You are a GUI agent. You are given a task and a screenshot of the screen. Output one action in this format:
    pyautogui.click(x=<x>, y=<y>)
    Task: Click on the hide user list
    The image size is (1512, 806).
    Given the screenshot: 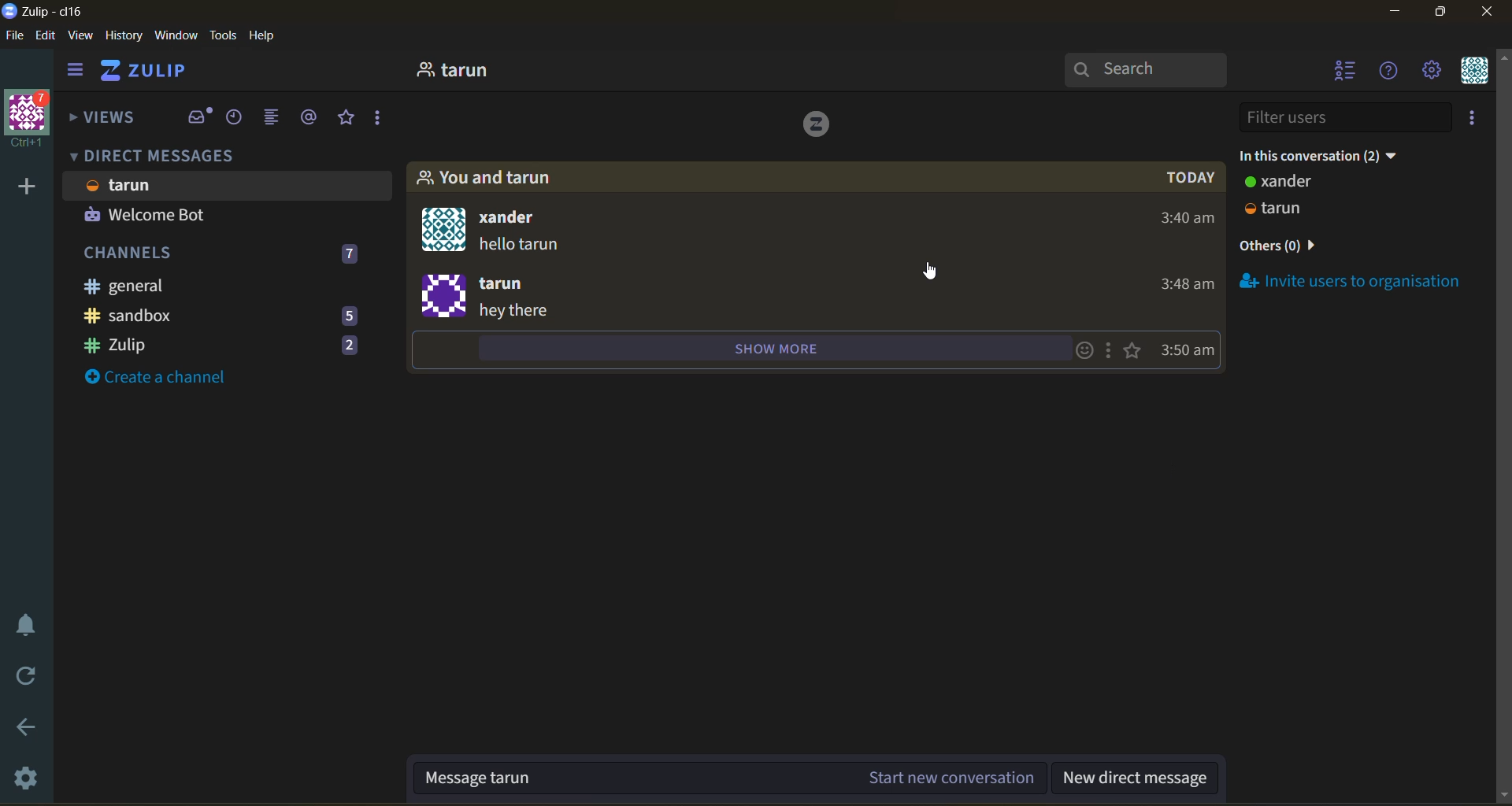 What is the action you would take?
    pyautogui.click(x=1342, y=72)
    